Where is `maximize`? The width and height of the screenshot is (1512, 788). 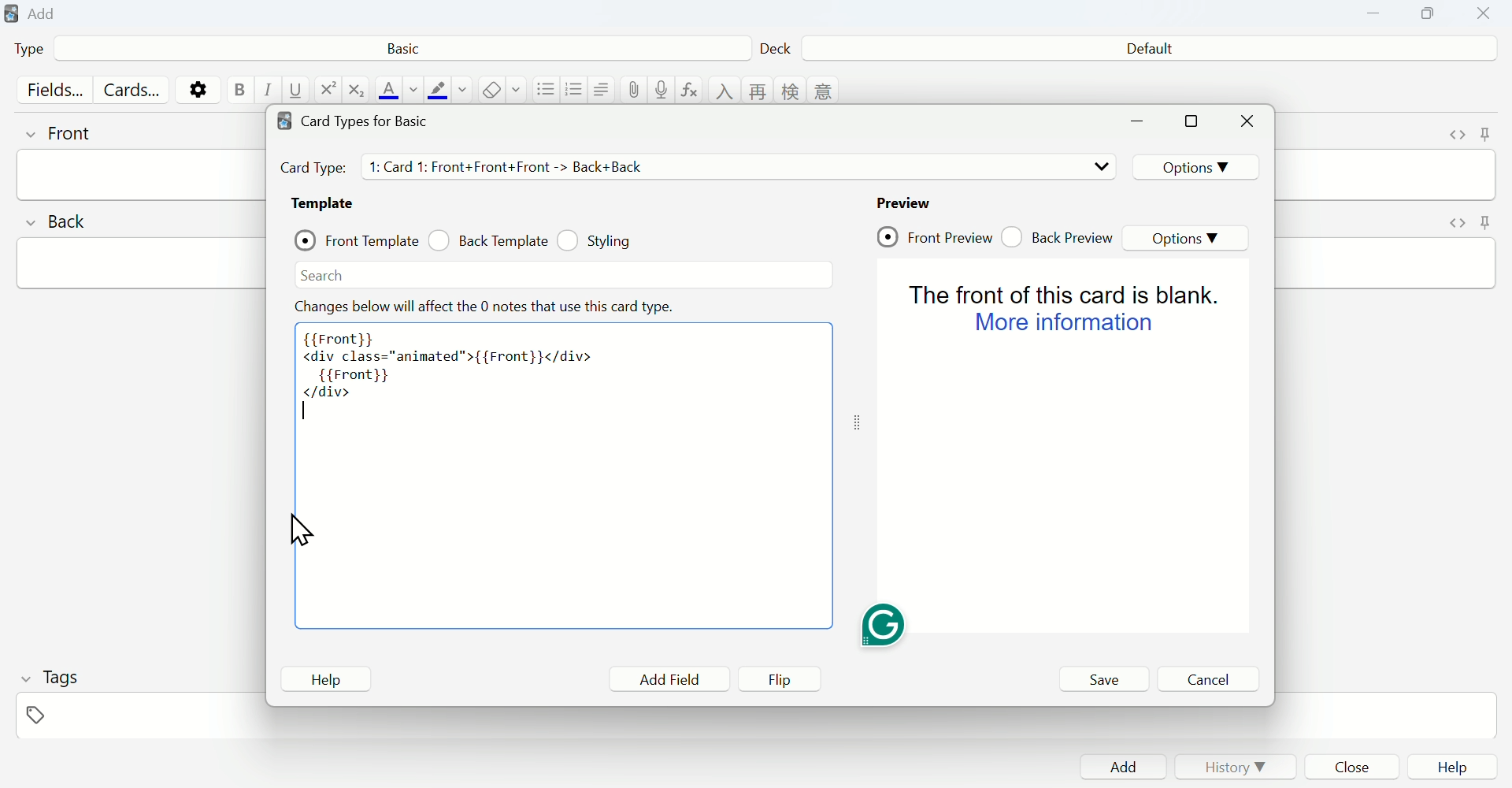
maximize is located at coordinates (1194, 125).